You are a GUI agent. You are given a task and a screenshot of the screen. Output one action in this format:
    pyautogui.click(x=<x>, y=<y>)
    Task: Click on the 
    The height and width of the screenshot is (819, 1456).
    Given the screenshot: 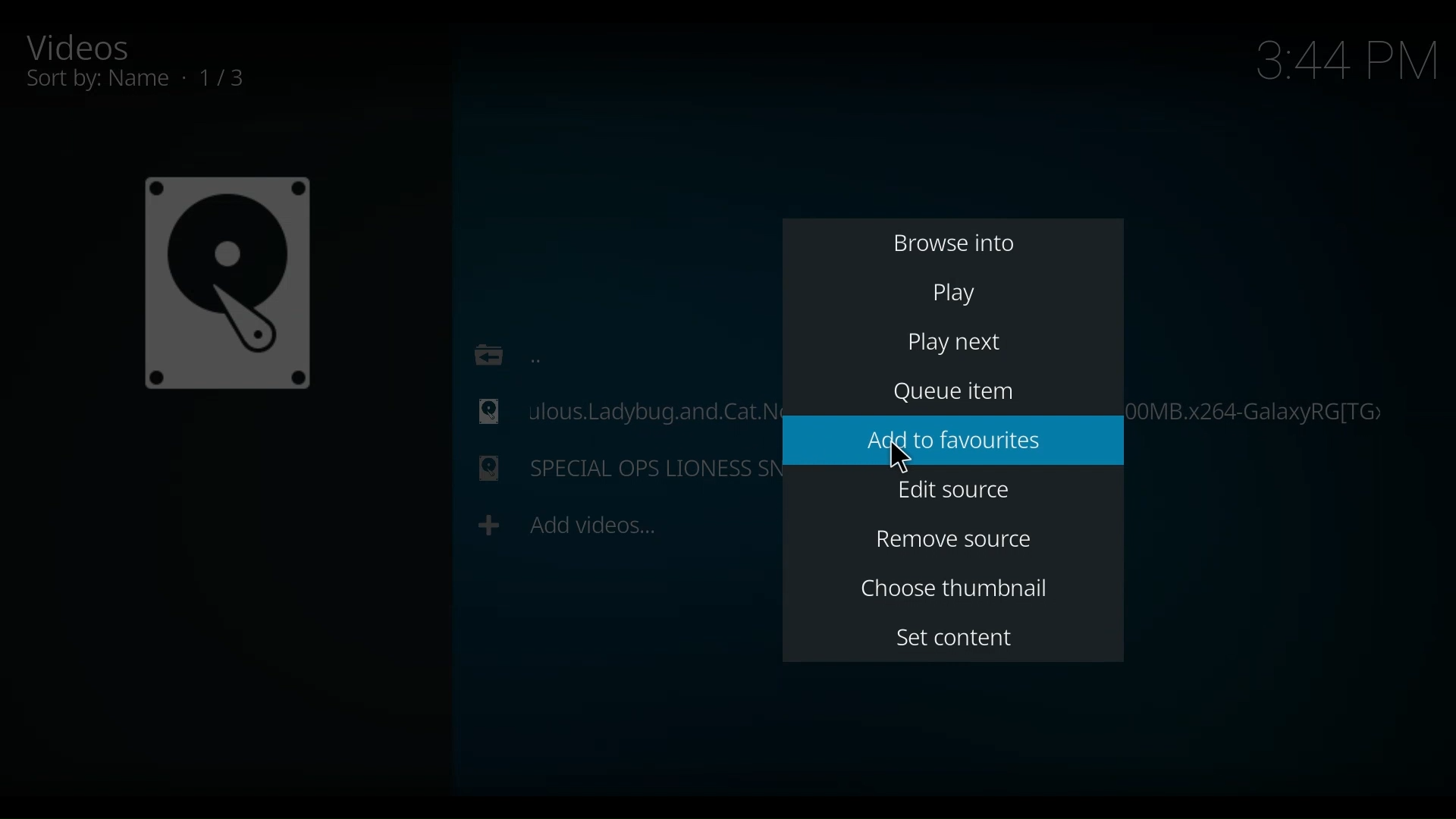 What is the action you would take?
    pyautogui.click(x=966, y=394)
    